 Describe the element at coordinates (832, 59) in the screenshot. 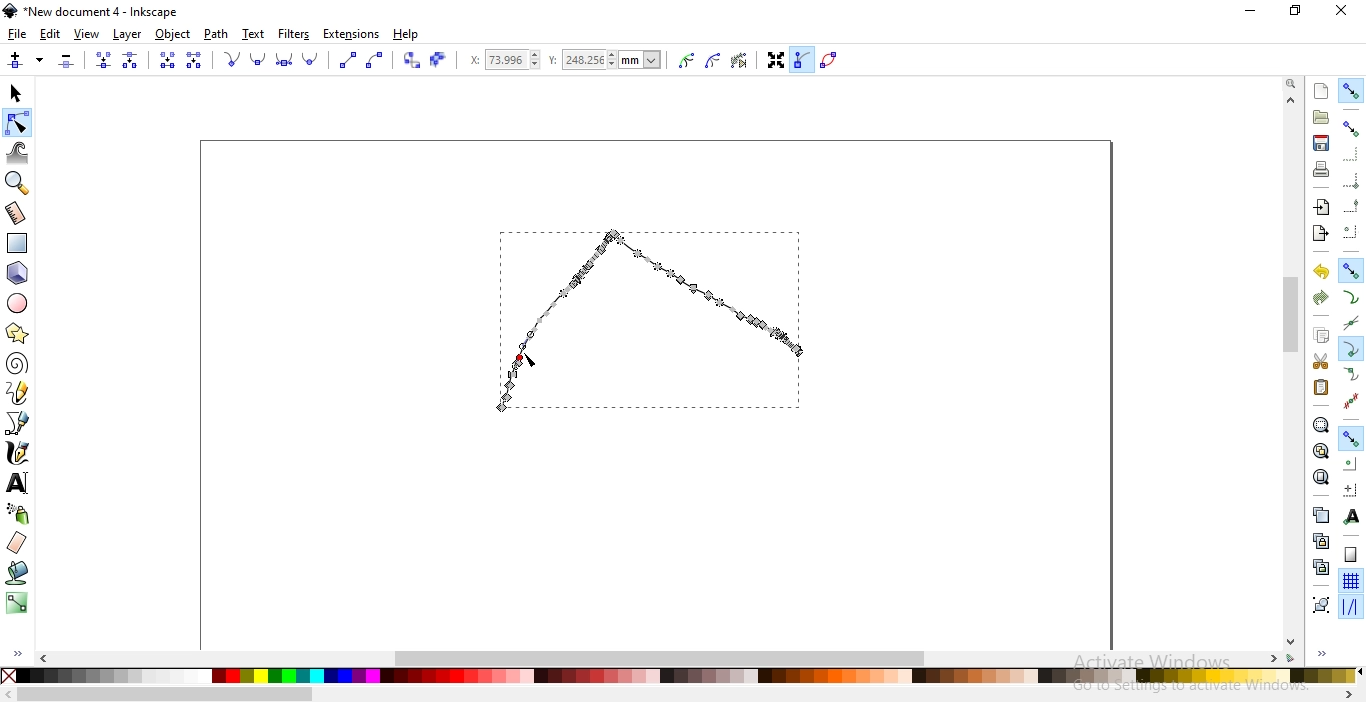

I see `show path outline(without path effects)` at that location.